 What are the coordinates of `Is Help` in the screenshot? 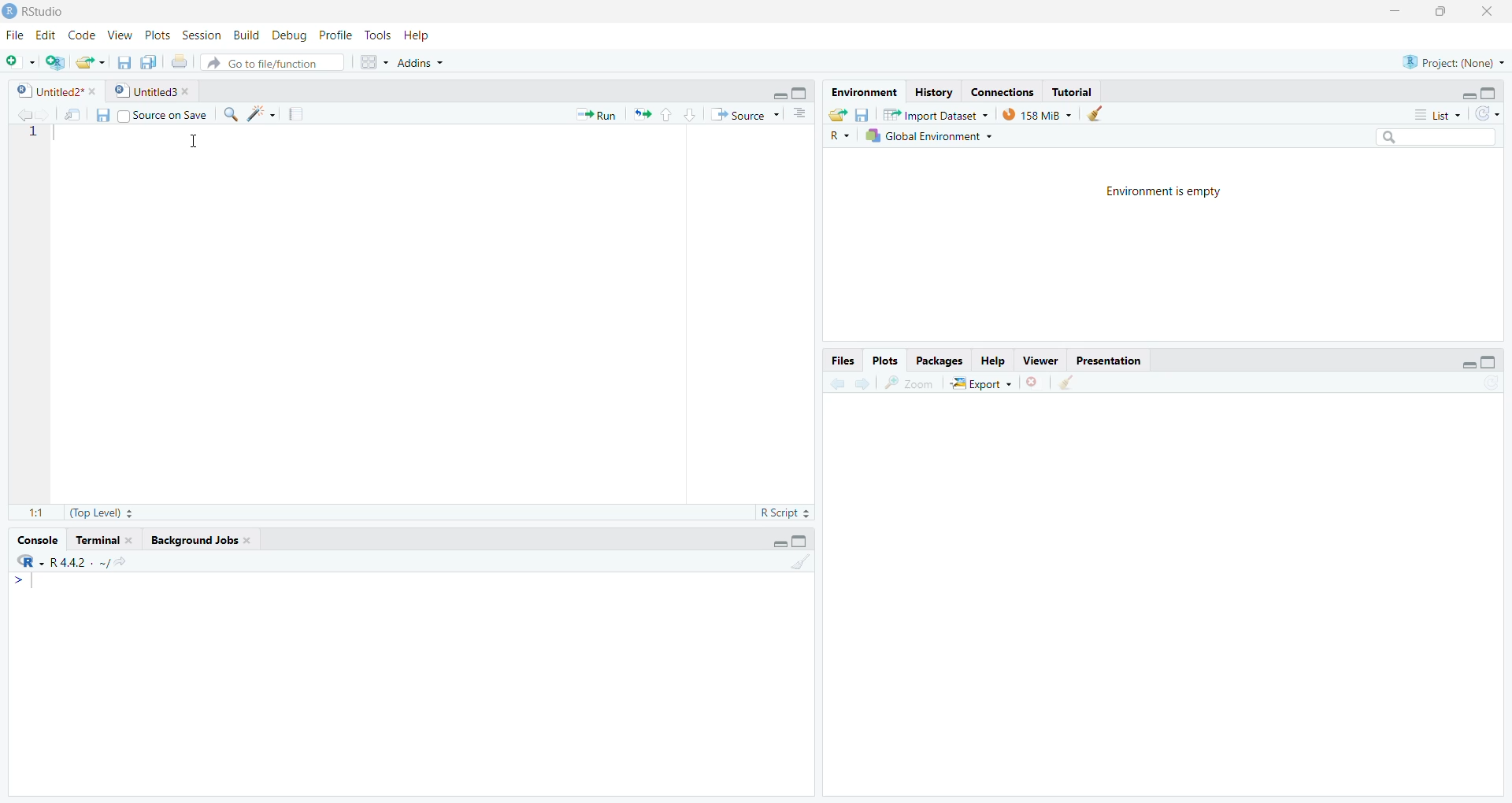 It's located at (424, 31).